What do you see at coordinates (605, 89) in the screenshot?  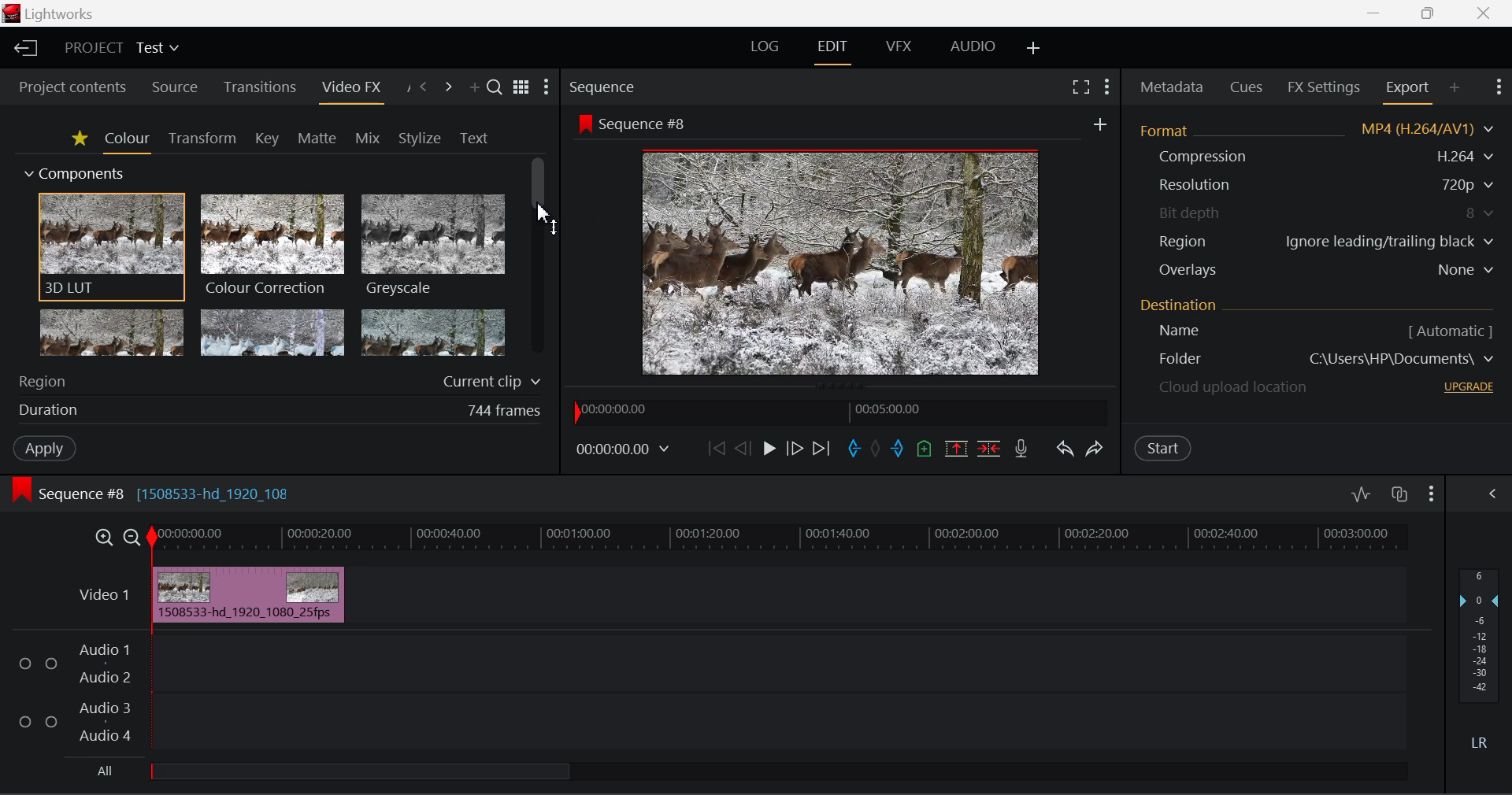 I see `Sequence Preview Section` at bounding box center [605, 89].